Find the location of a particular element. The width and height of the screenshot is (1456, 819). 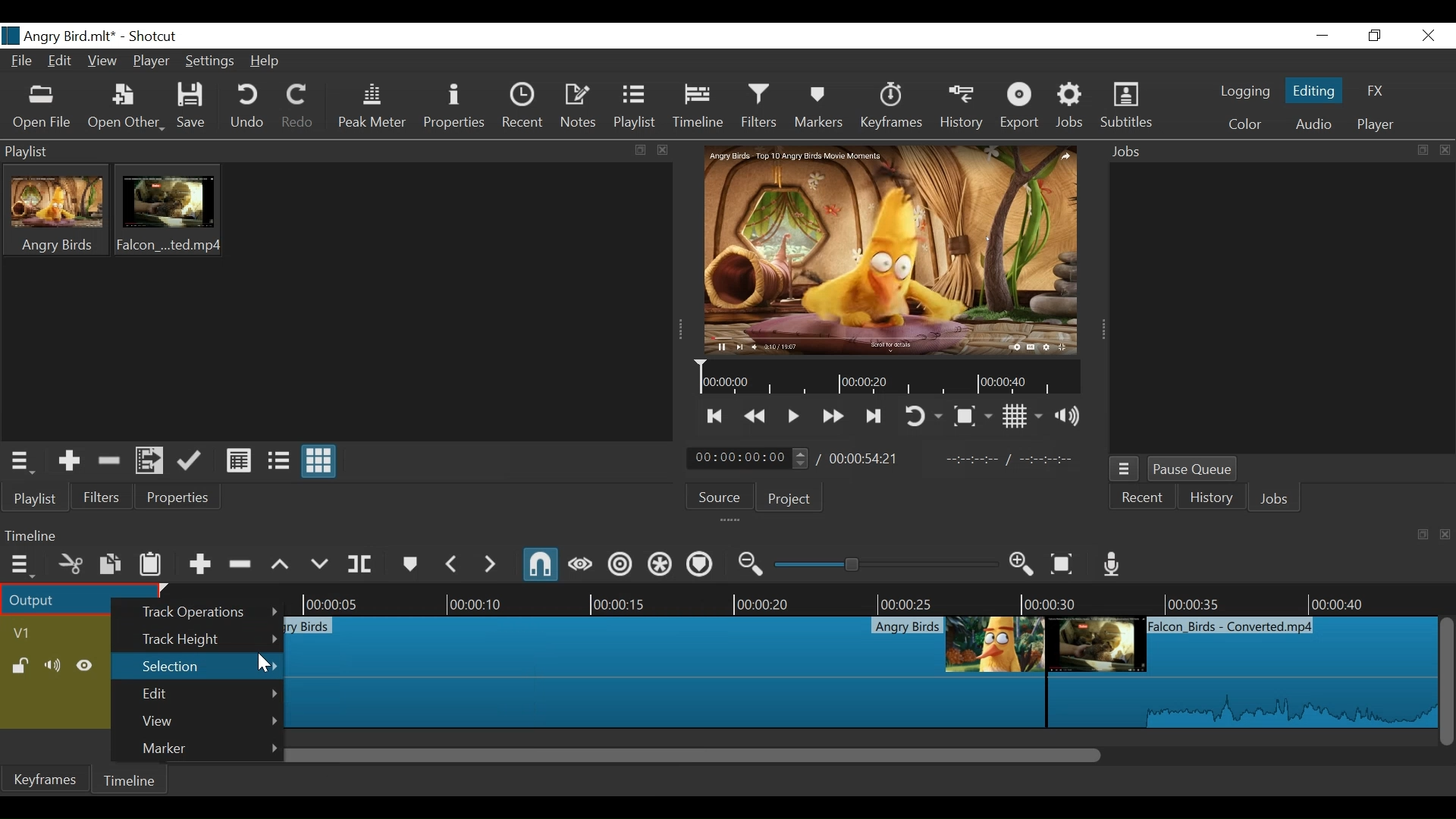

Toggle zoo is located at coordinates (973, 416).